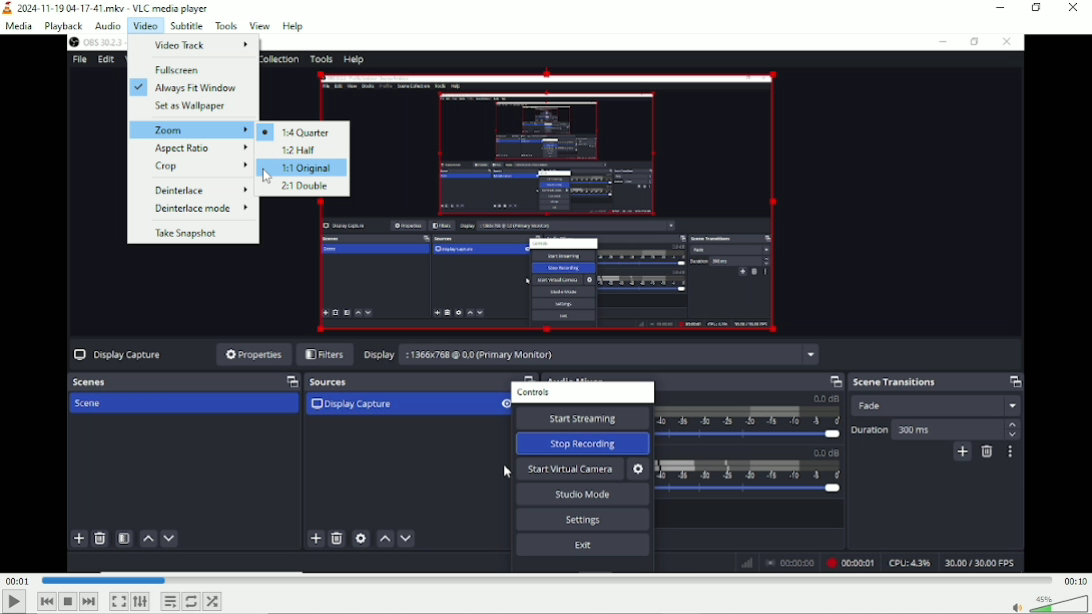 The width and height of the screenshot is (1092, 614). What do you see at coordinates (545, 580) in the screenshot?
I see `Play duration` at bounding box center [545, 580].